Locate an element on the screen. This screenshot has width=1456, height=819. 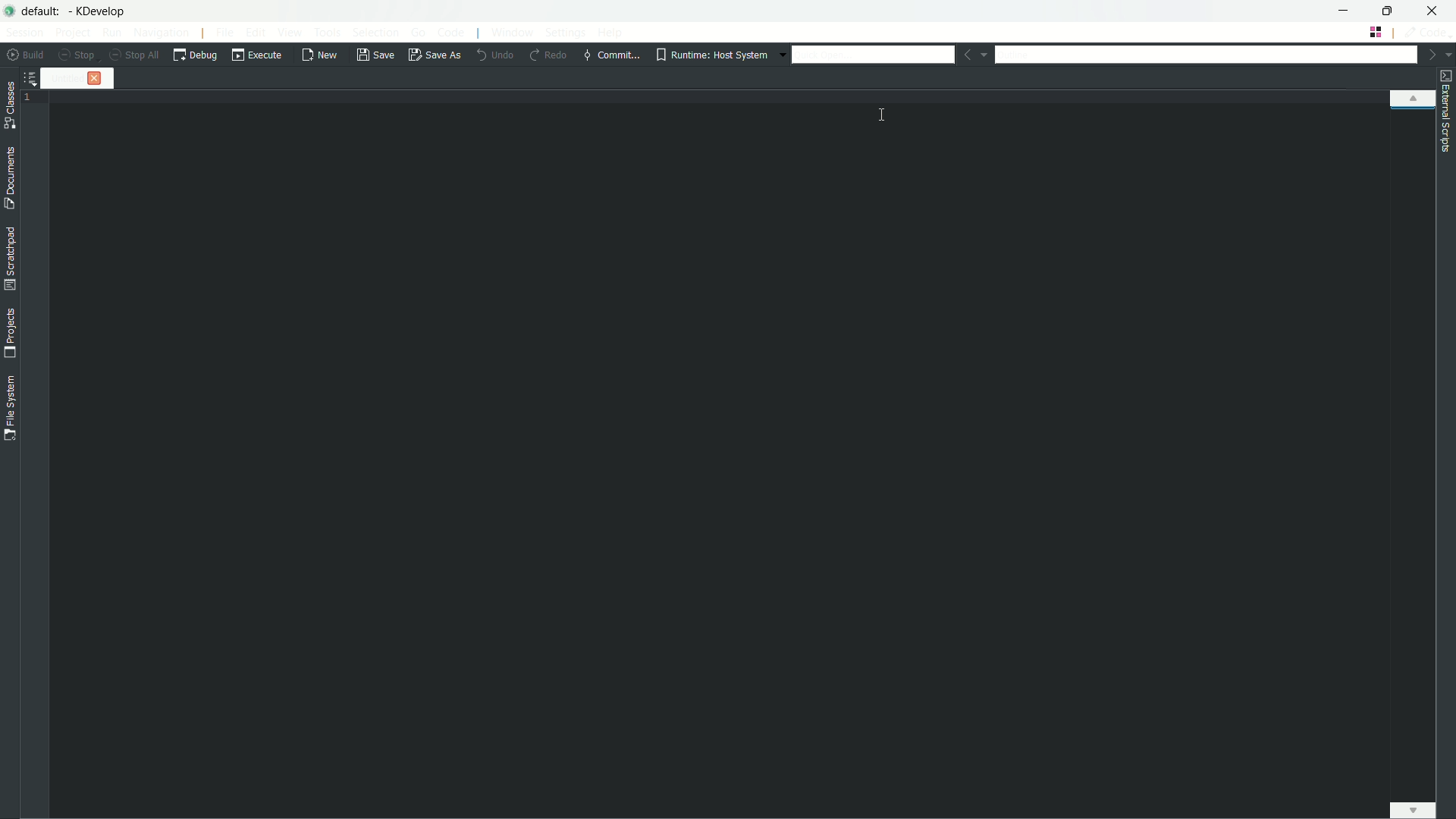
outline is located at coordinates (1204, 57).